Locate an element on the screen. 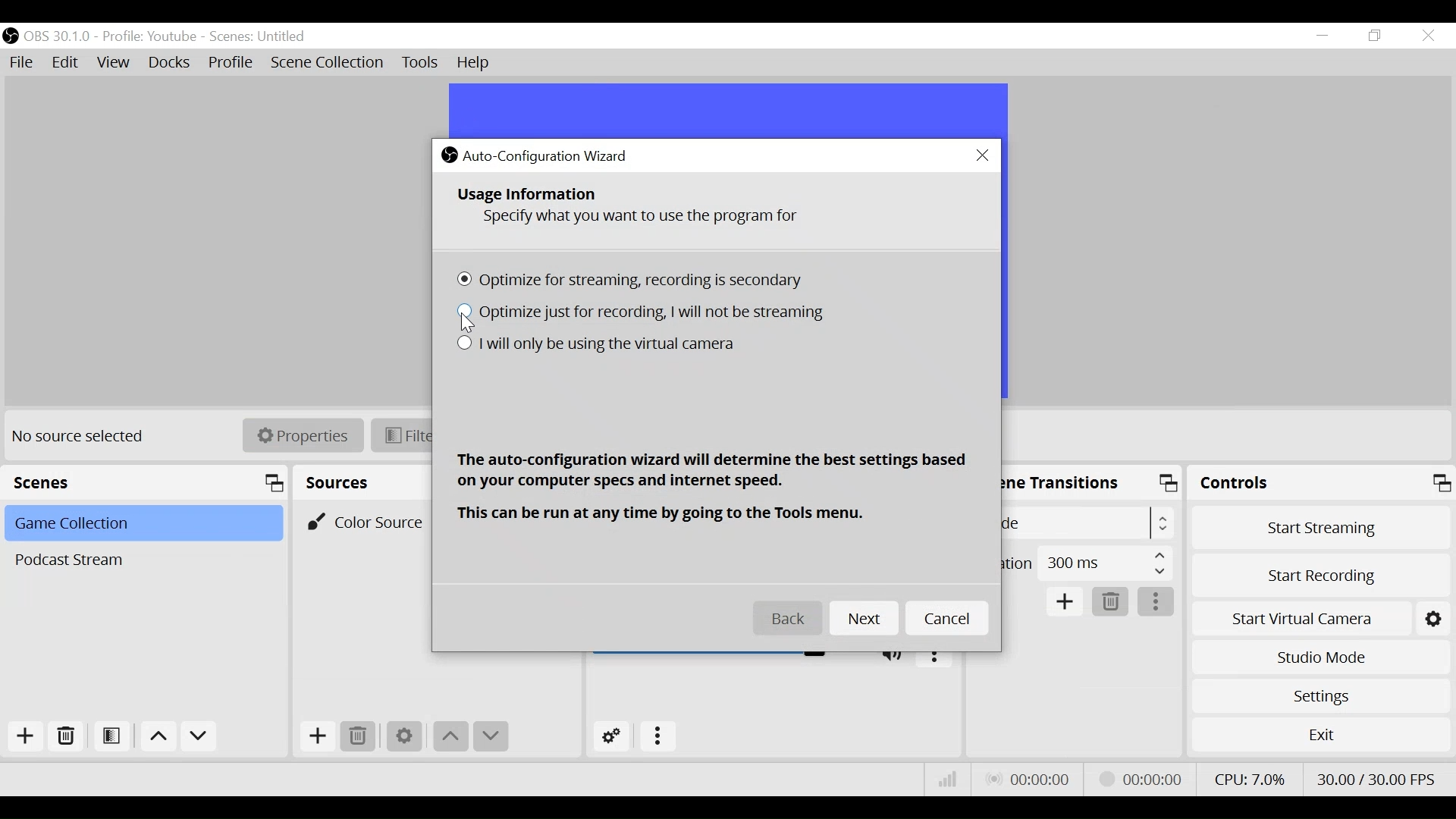 This screenshot has height=819, width=1456. Live Status is located at coordinates (1030, 779).